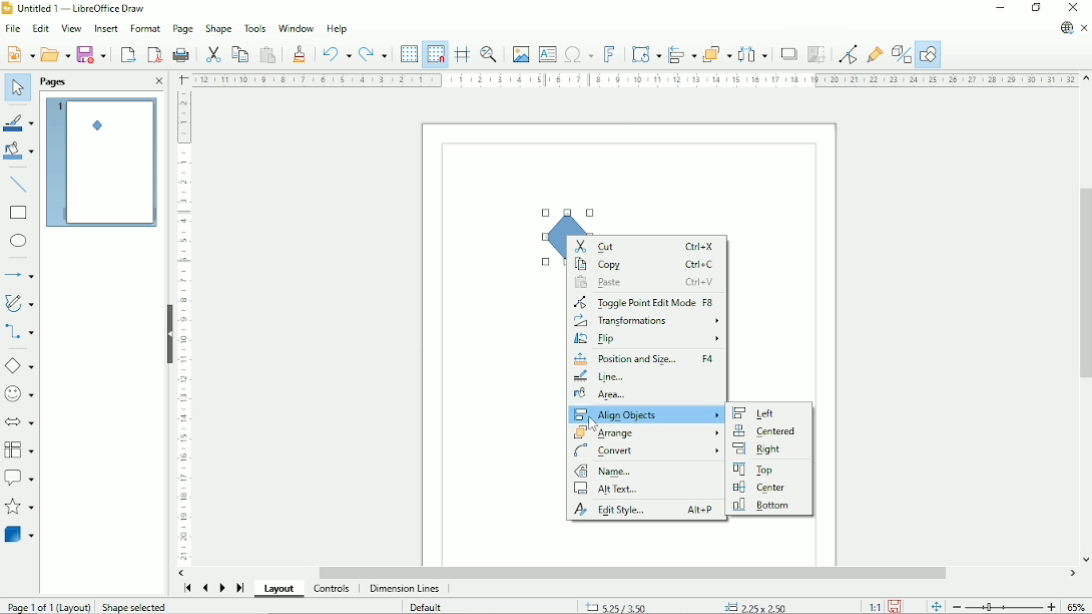 The width and height of the screenshot is (1092, 614). I want to click on Bottom, so click(762, 506).